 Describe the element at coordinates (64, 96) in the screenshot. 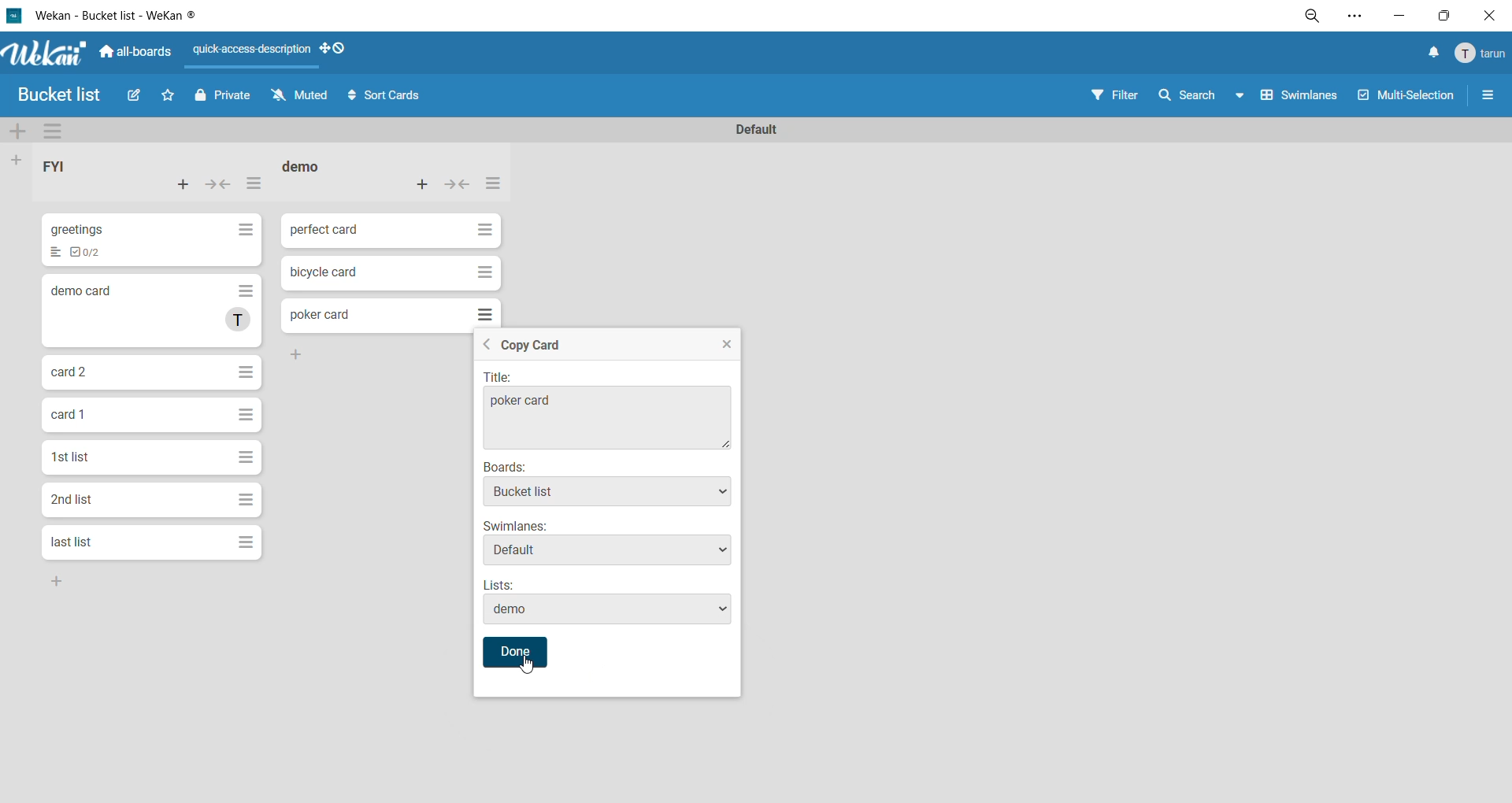

I see `Bucket list` at that location.